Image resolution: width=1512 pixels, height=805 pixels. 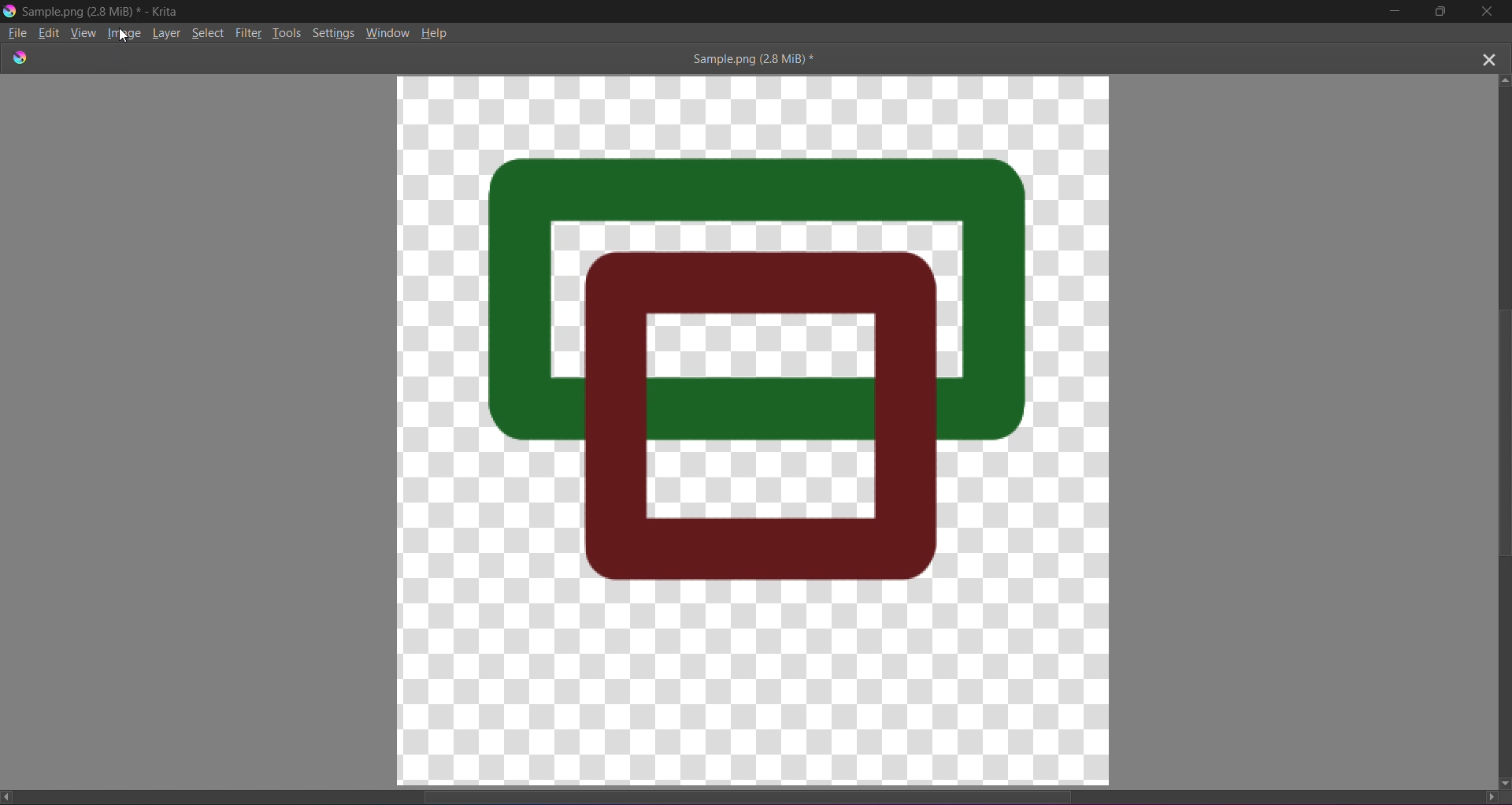 What do you see at coordinates (1494, 428) in the screenshot?
I see `Vertical Scroll bar` at bounding box center [1494, 428].